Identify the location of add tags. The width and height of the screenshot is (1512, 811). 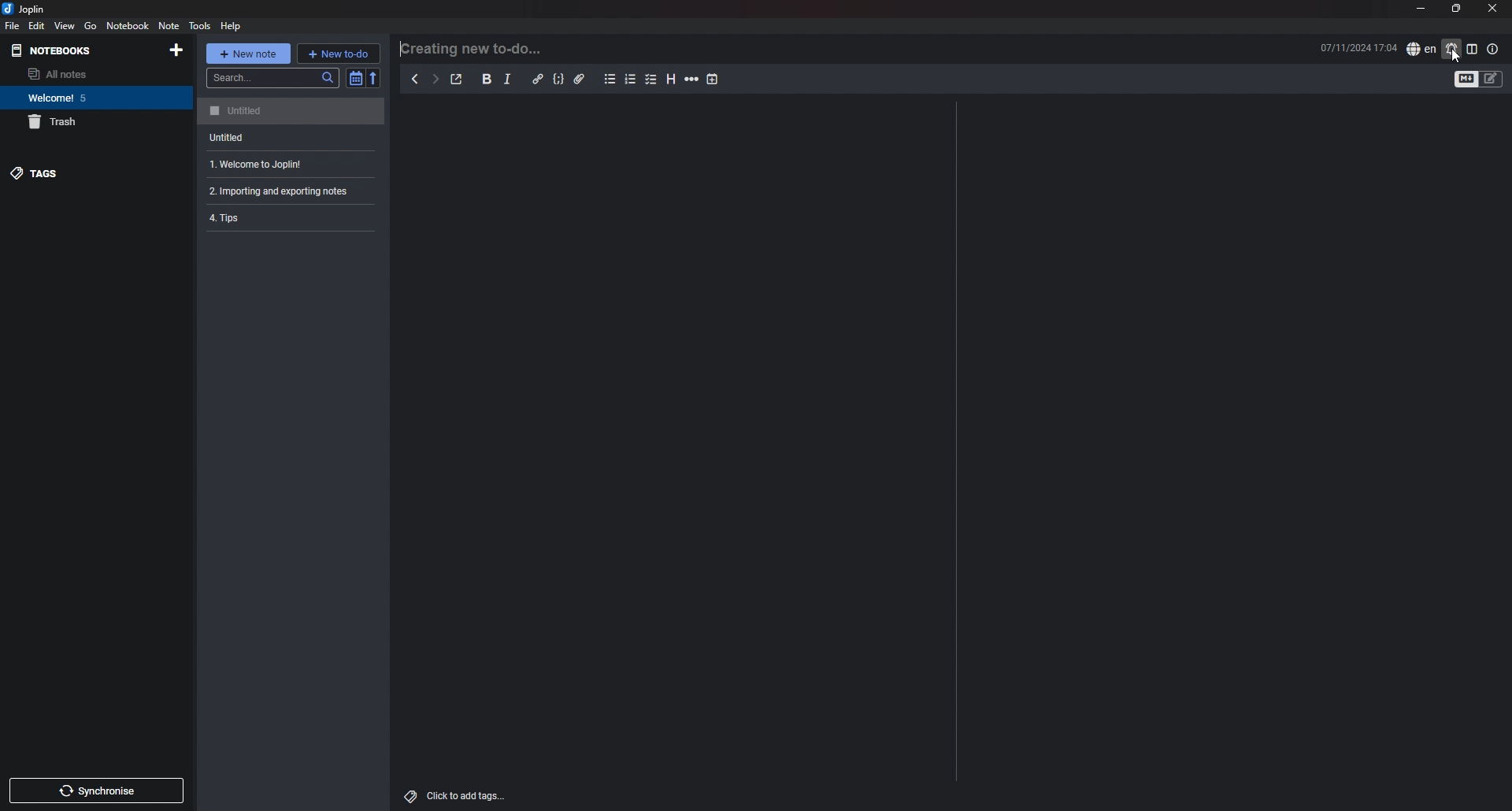
(457, 796).